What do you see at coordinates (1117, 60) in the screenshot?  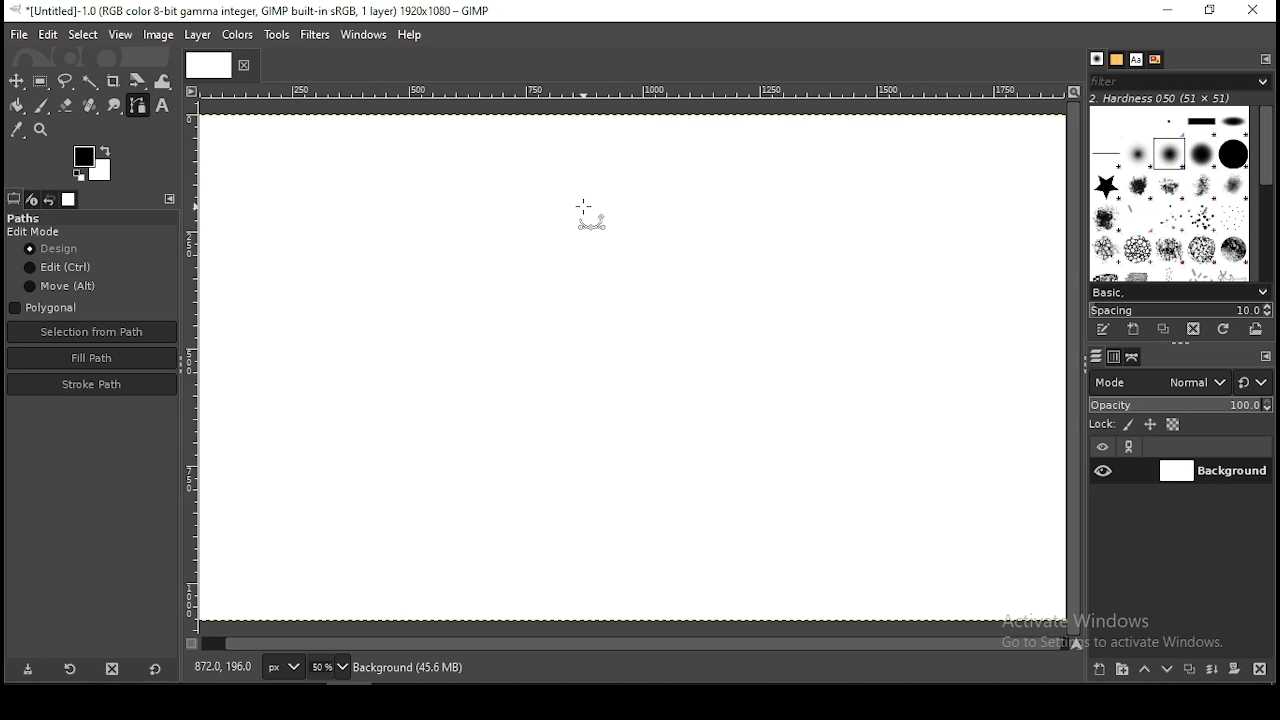 I see `patterns` at bounding box center [1117, 60].